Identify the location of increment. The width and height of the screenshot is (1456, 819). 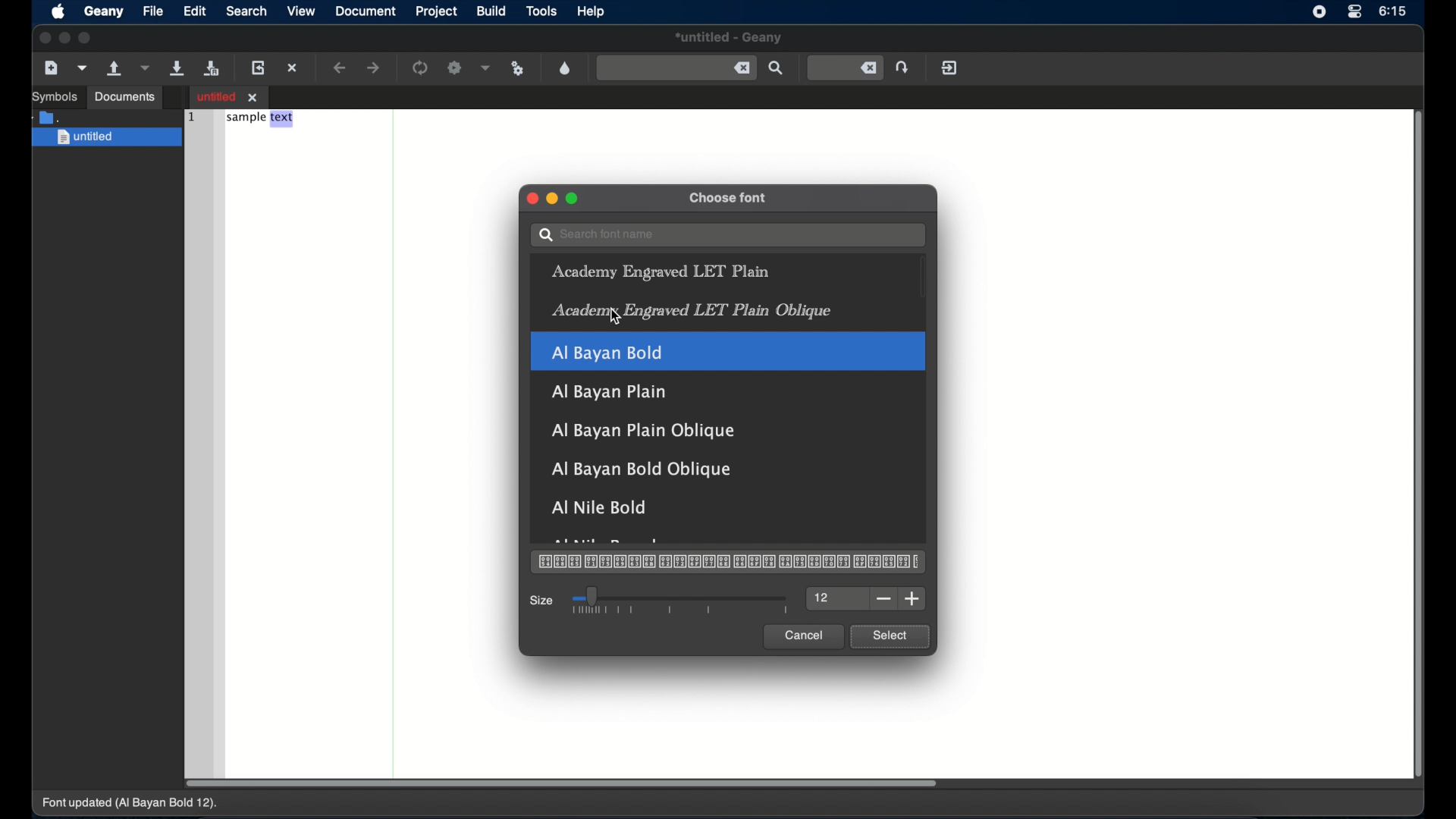
(912, 599).